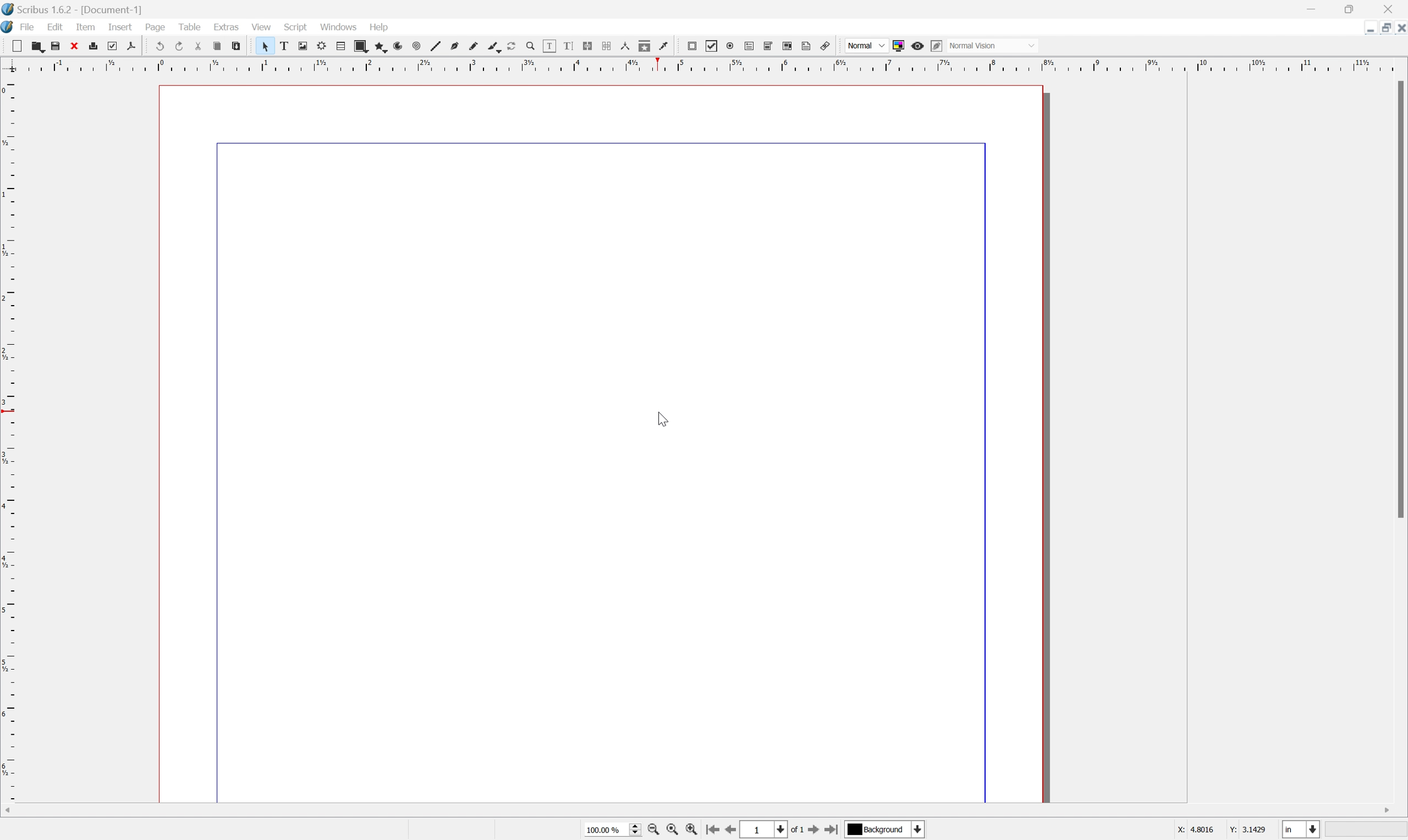  What do you see at coordinates (1365, 28) in the screenshot?
I see `minimize` at bounding box center [1365, 28].